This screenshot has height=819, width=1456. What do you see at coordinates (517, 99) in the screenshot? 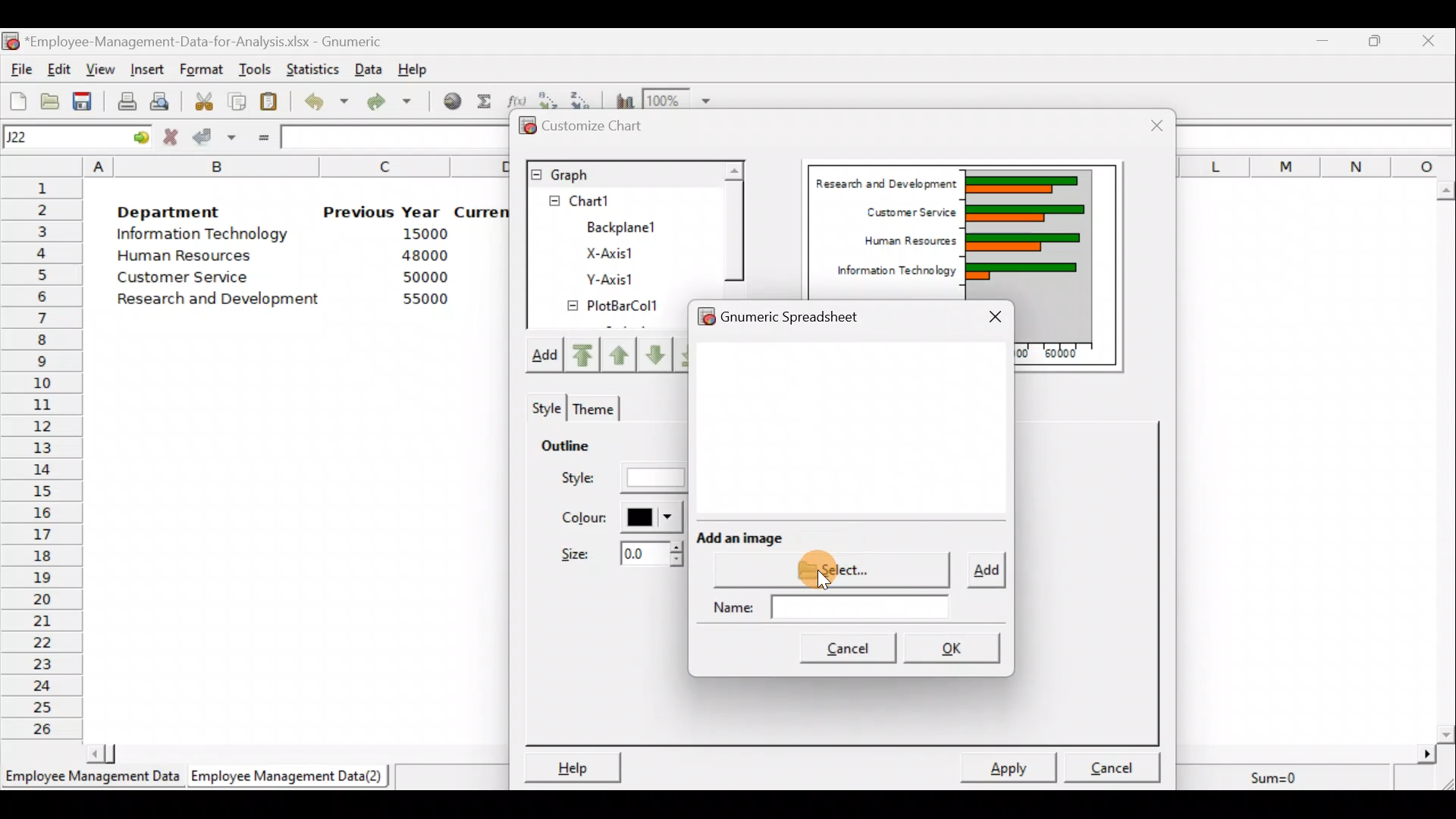
I see `Edit a function in the current cell` at bounding box center [517, 99].